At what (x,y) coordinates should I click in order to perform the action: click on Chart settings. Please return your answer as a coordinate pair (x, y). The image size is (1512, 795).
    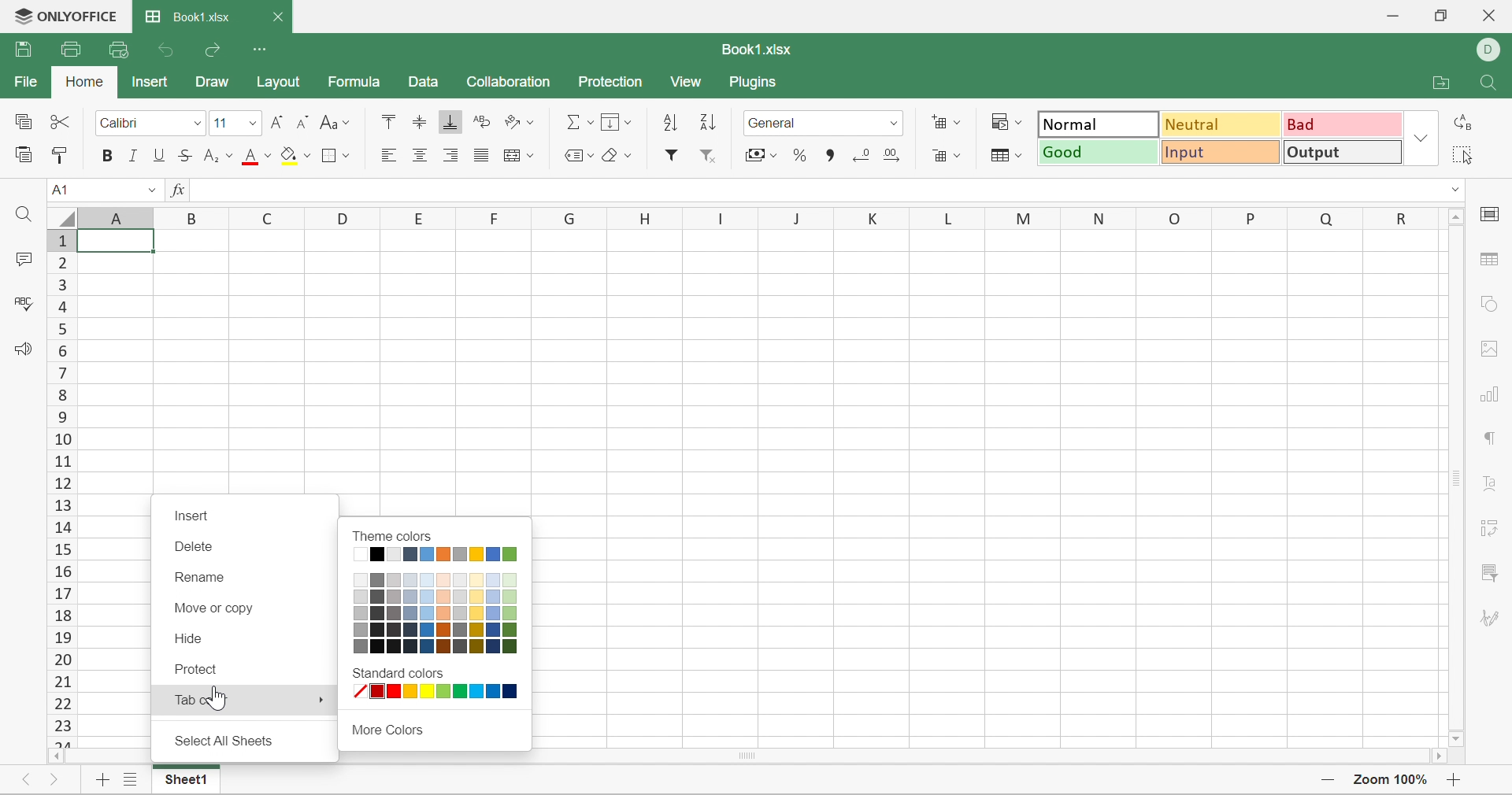
    Looking at the image, I should click on (1487, 394).